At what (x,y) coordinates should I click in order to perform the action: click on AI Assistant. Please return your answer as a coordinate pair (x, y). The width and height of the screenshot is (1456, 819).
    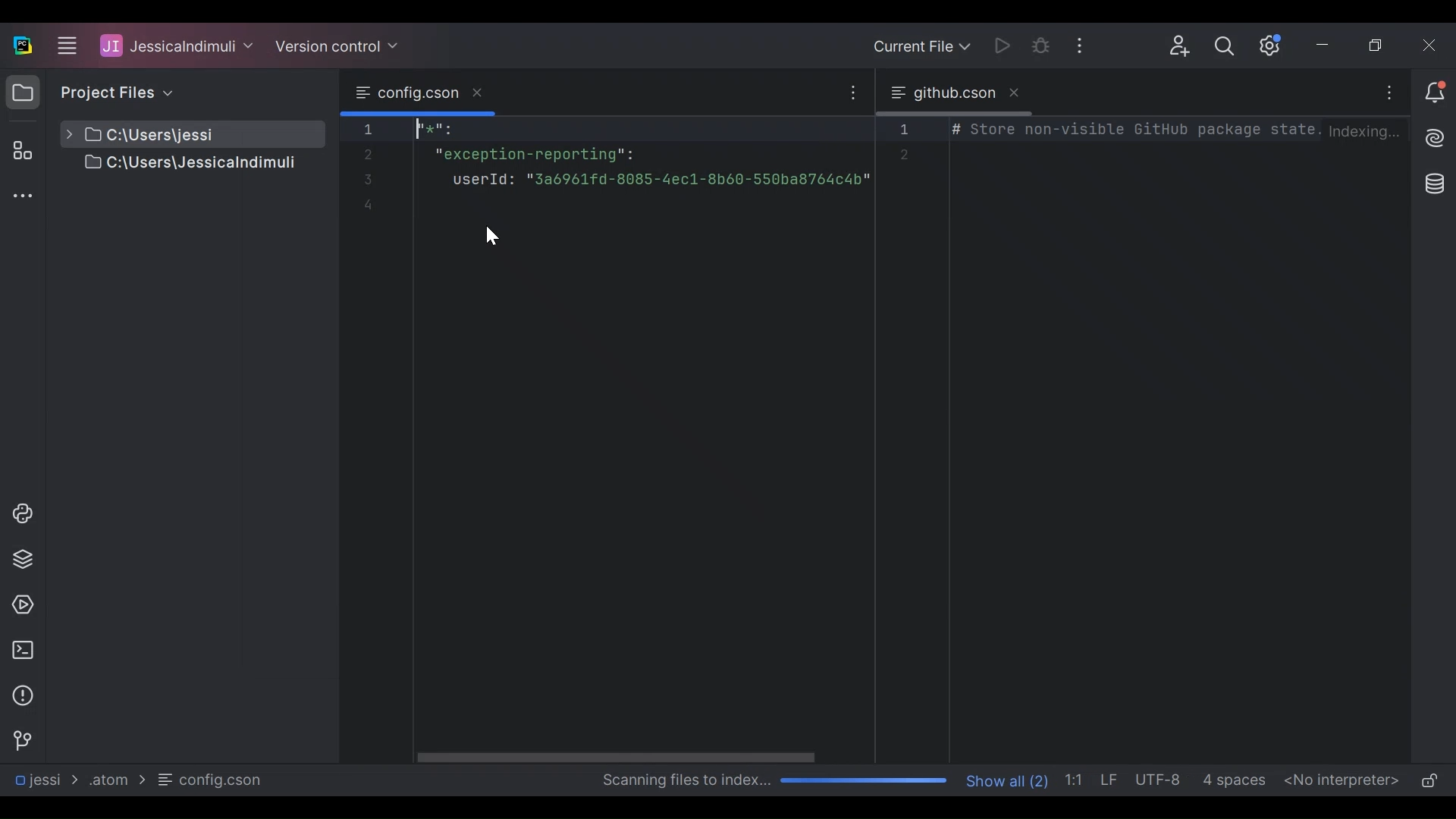
    Looking at the image, I should click on (1434, 138).